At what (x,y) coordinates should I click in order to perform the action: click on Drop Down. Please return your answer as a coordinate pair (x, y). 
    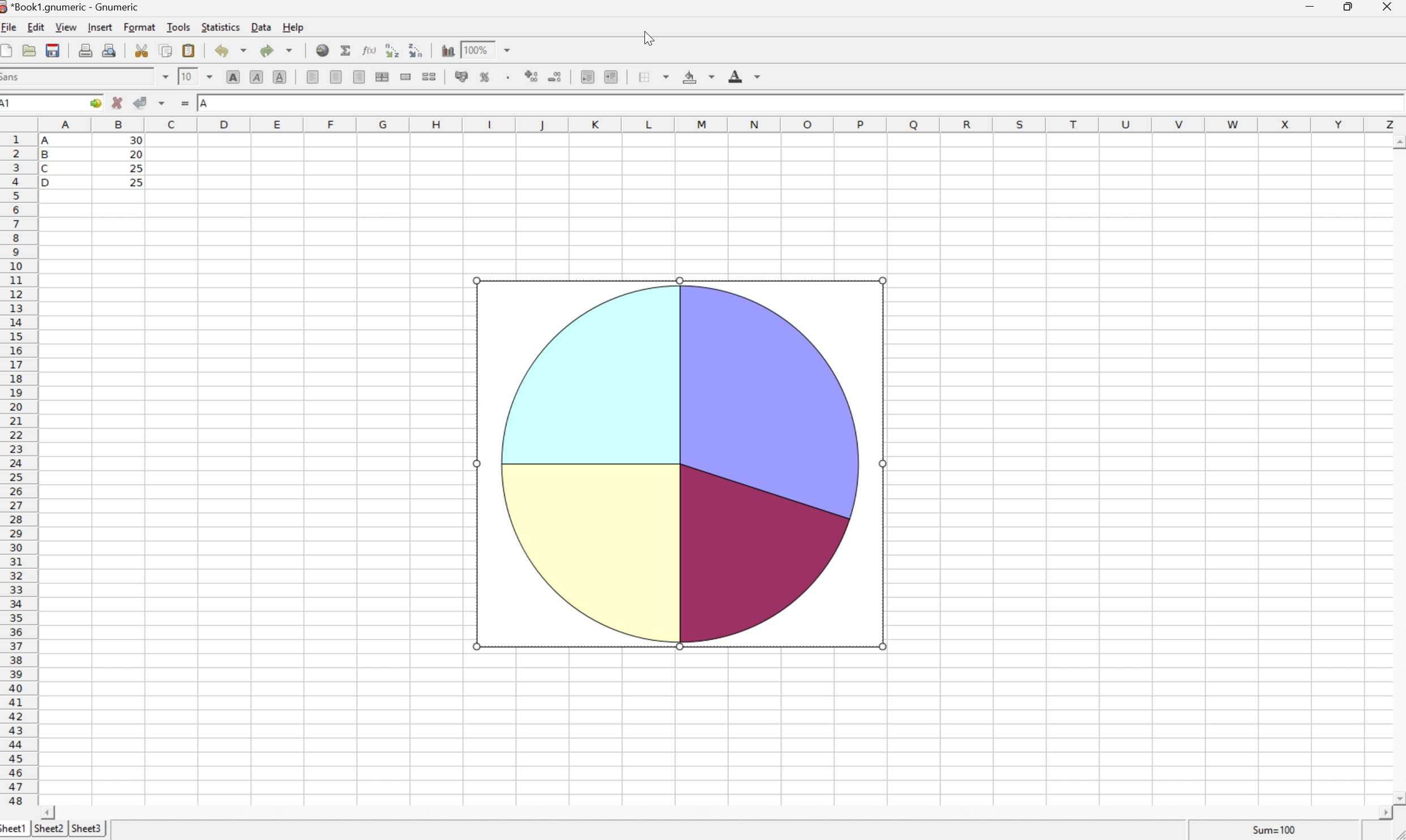
    Looking at the image, I should click on (511, 49).